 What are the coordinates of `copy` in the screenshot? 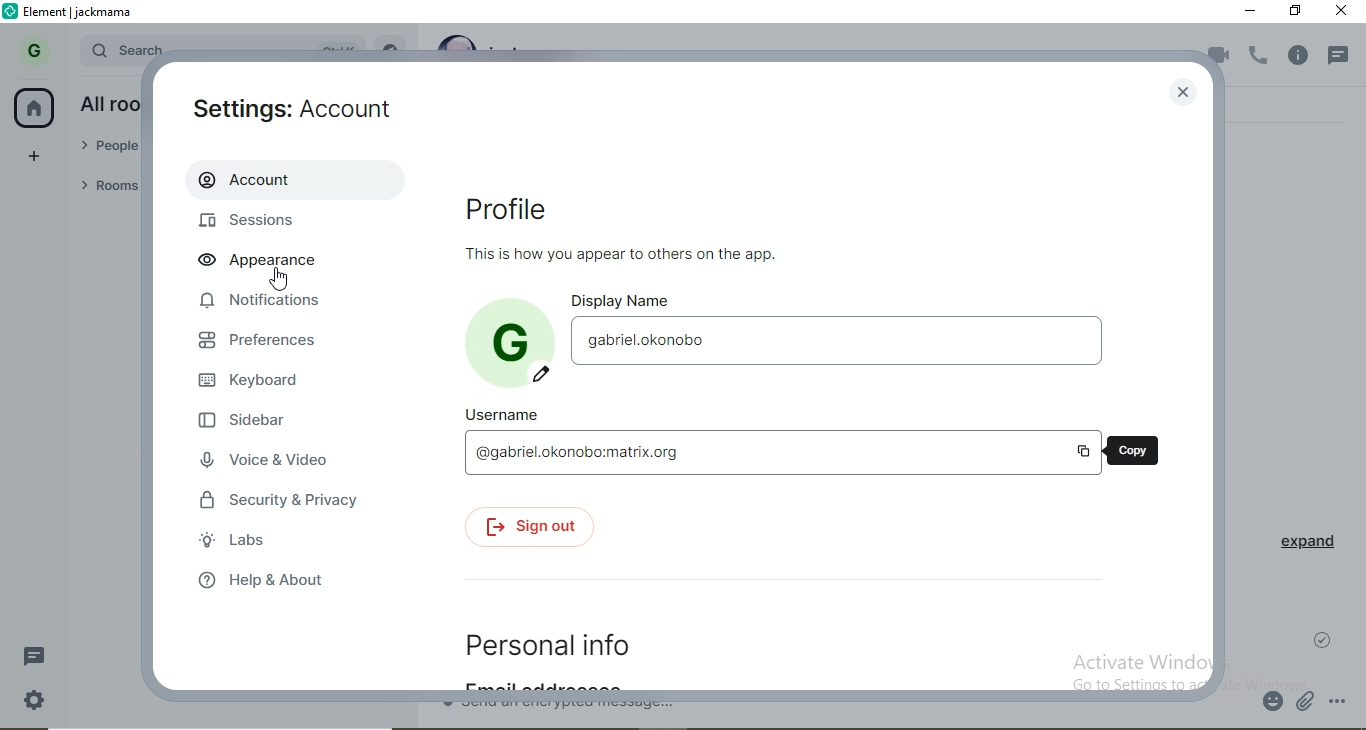 It's located at (1138, 449).